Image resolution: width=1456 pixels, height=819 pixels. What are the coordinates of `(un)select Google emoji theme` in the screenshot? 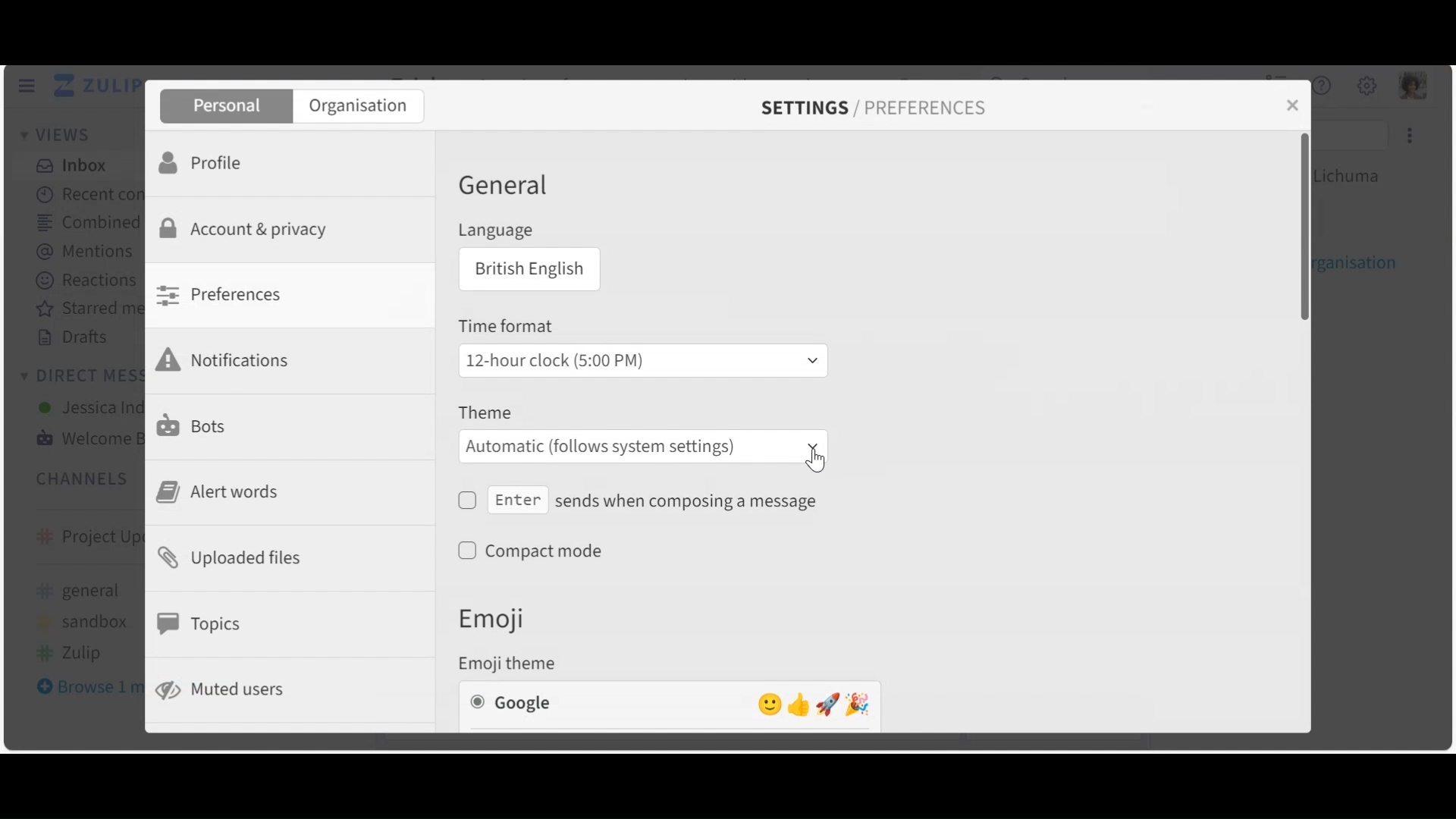 It's located at (670, 703).